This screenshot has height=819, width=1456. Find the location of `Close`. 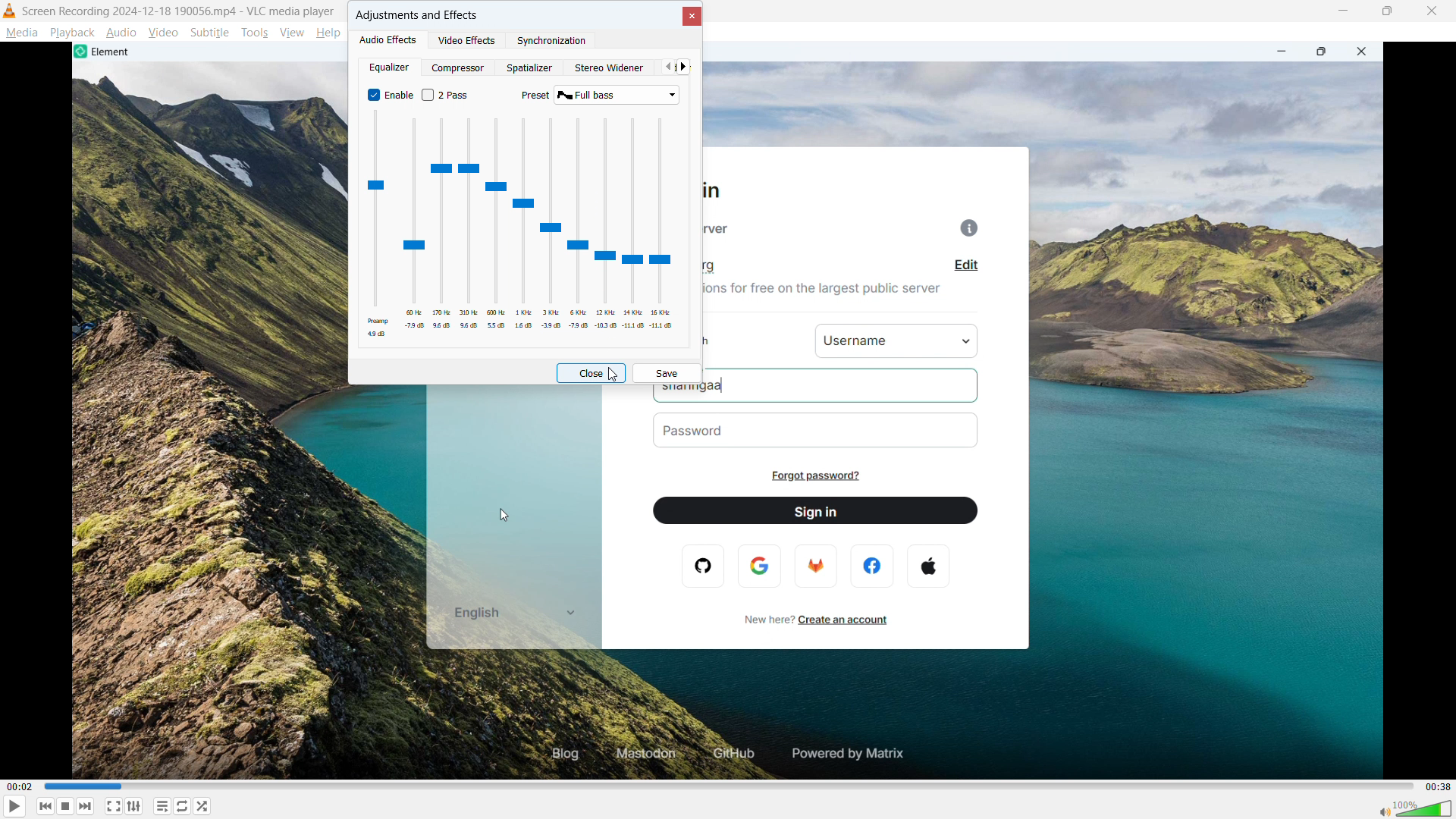

Close is located at coordinates (693, 16).